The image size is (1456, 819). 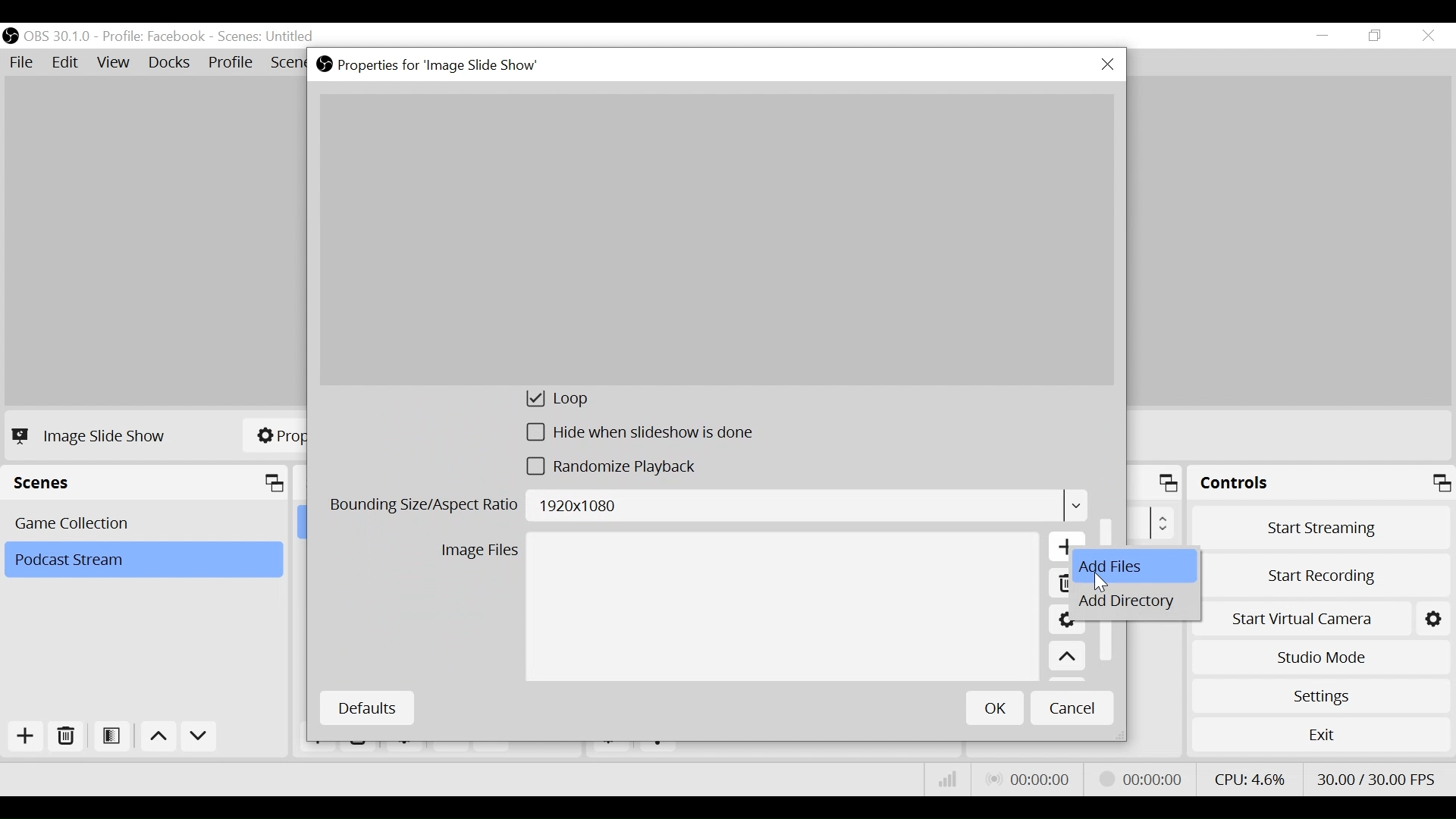 I want to click on OK, so click(x=995, y=708).